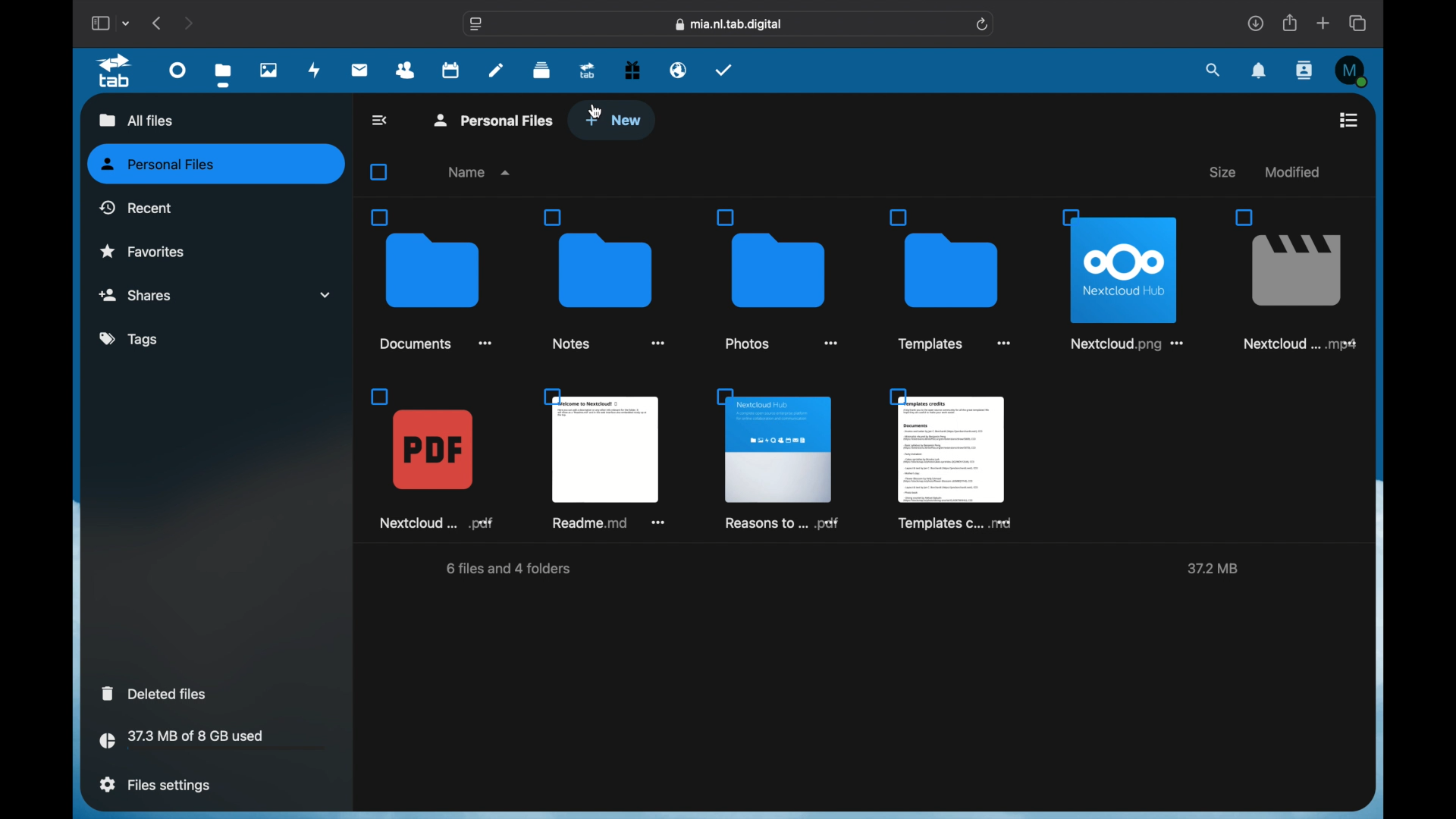 This screenshot has height=819, width=1456. Describe the element at coordinates (1210, 570) in the screenshot. I see `37.2 MB` at that location.